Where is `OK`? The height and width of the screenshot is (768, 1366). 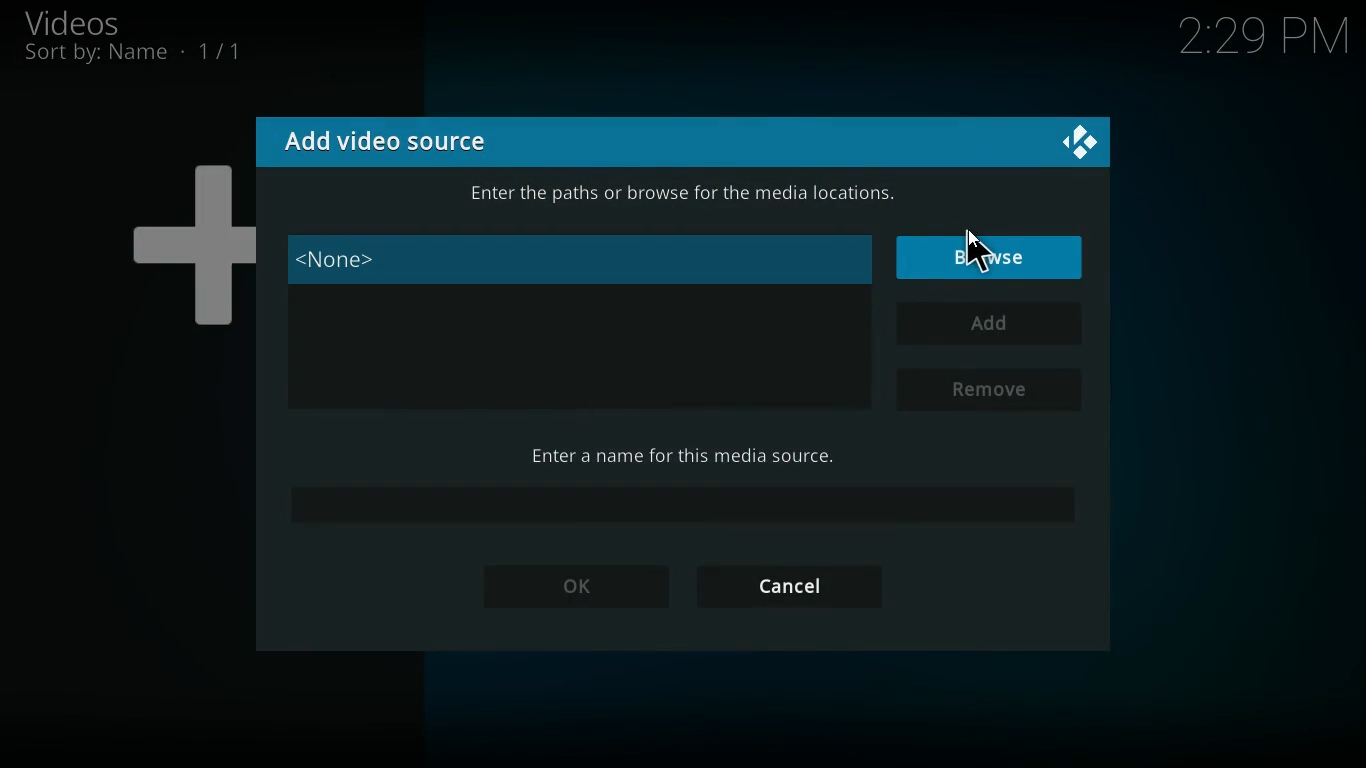
OK is located at coordinates (567, 589).